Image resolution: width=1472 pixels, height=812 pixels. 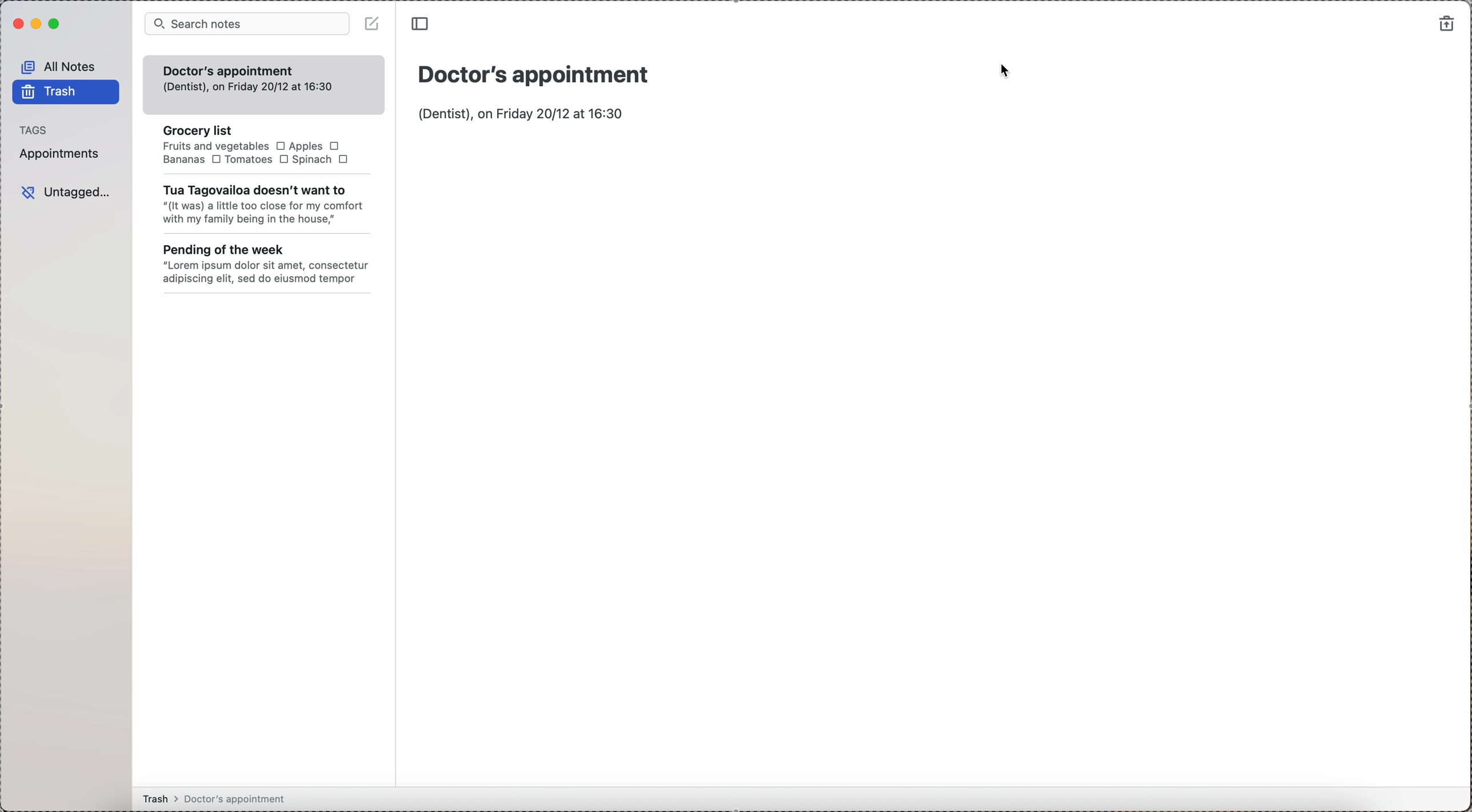 What do you see at coordinates (261, 207) in the screenshot?
I see `" (It was) a little too close for my comfort` at bounding box center [261, 207].